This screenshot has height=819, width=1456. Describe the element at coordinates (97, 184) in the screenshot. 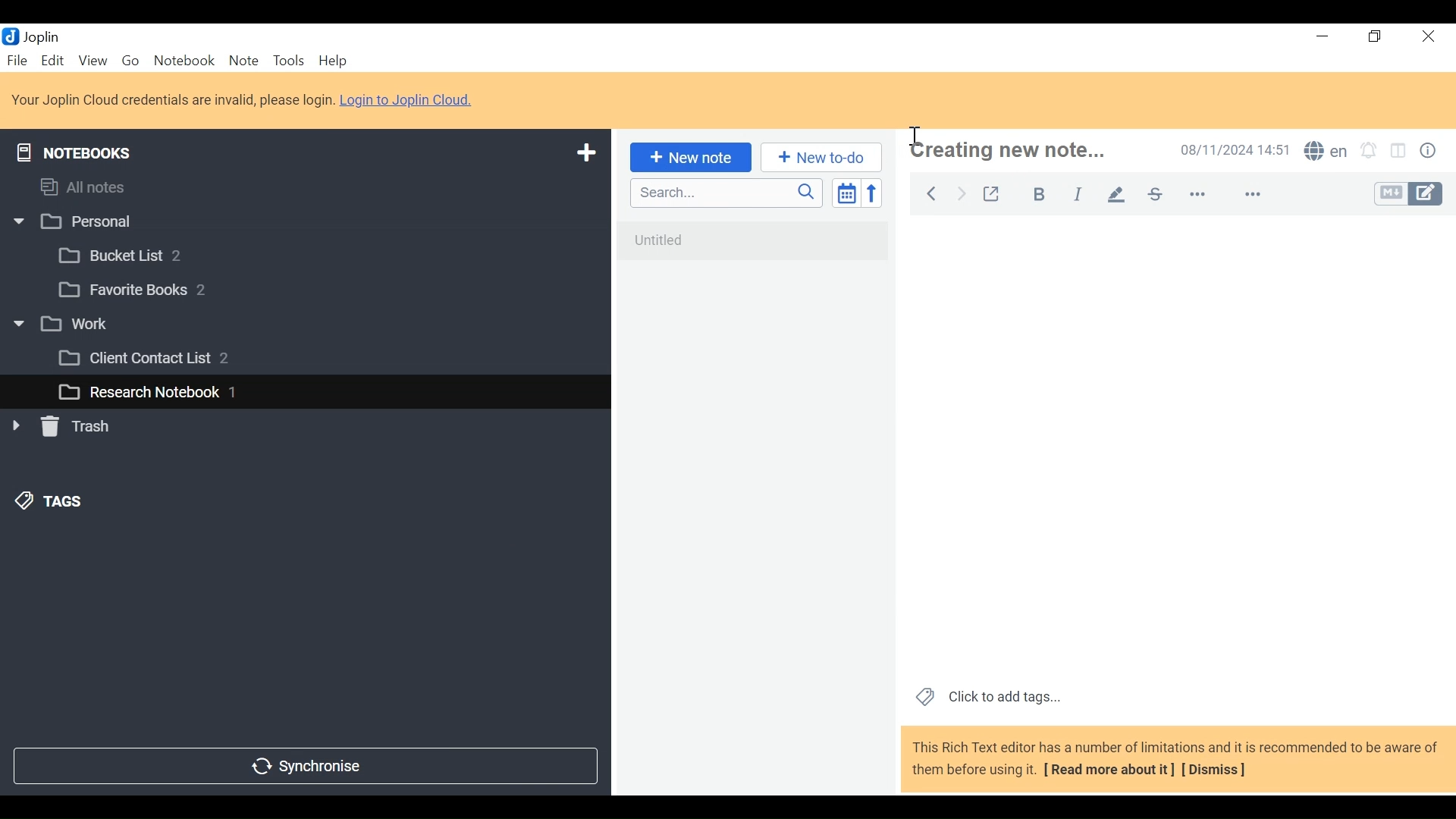

I see `All notes` at that location.